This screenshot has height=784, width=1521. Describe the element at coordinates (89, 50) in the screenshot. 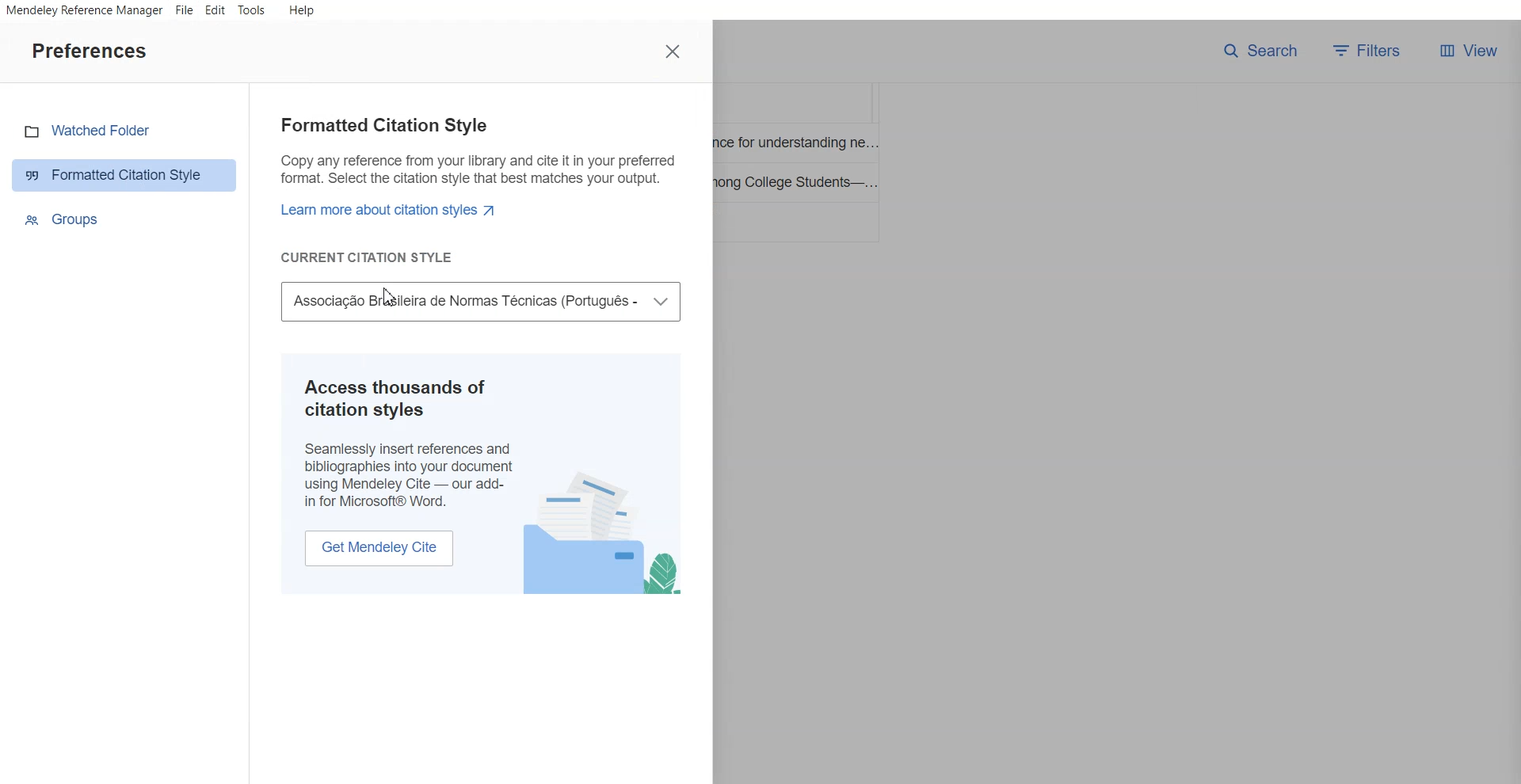

I see `Text` at that location.